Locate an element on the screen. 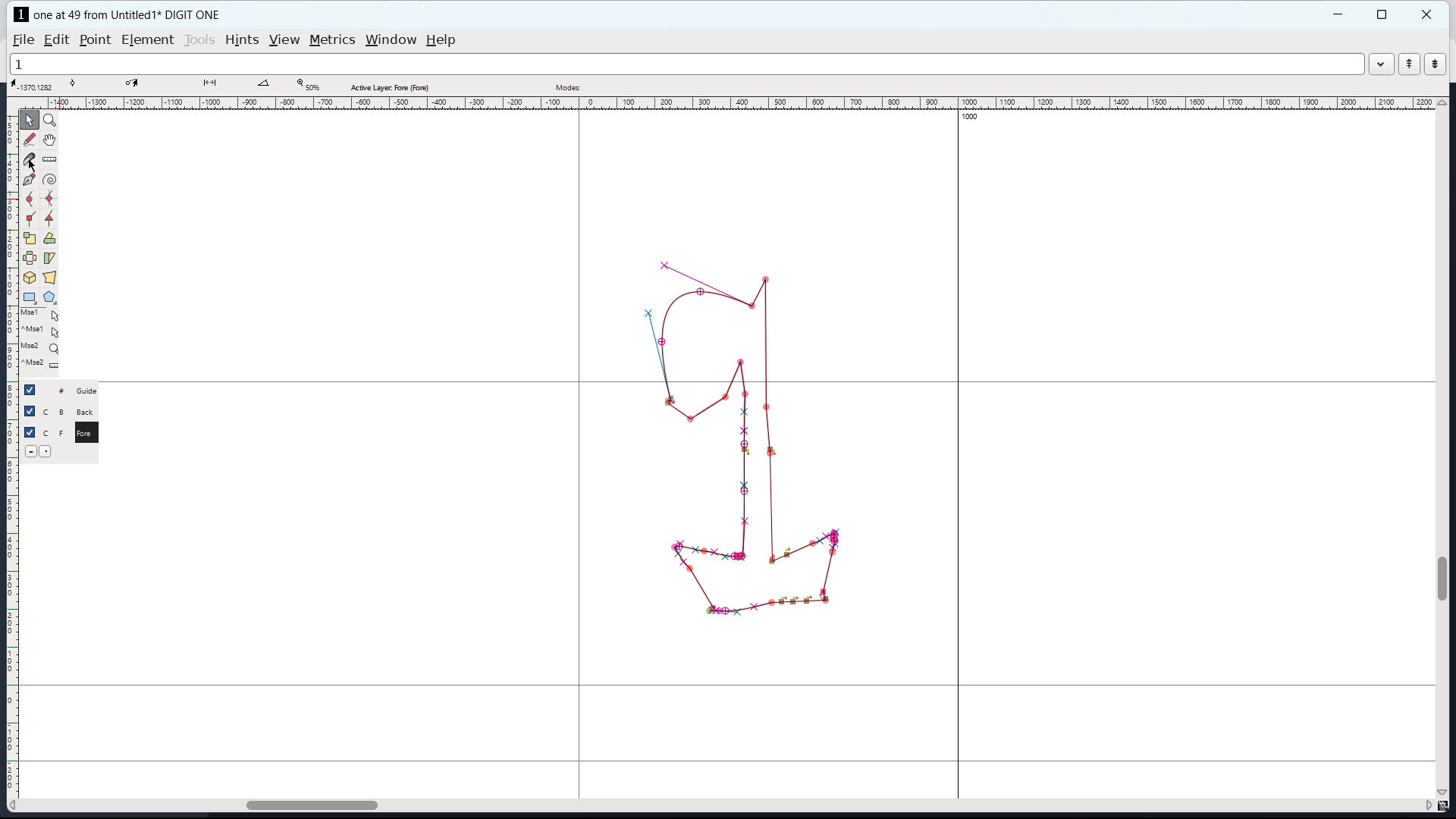  rotate the selection is located at coordinates (49, 239).